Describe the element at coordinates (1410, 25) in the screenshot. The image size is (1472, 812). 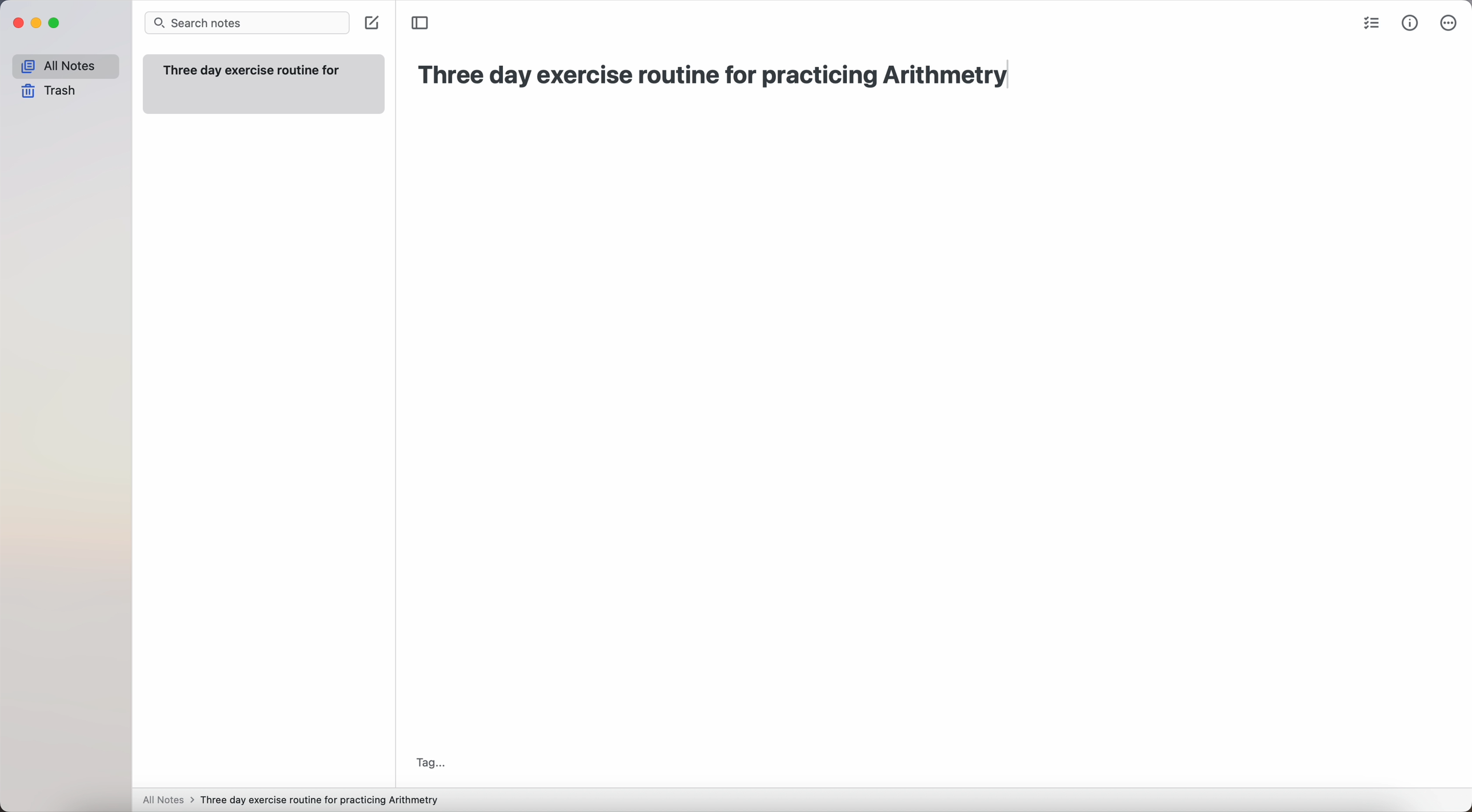
I see `metrics` at that location.